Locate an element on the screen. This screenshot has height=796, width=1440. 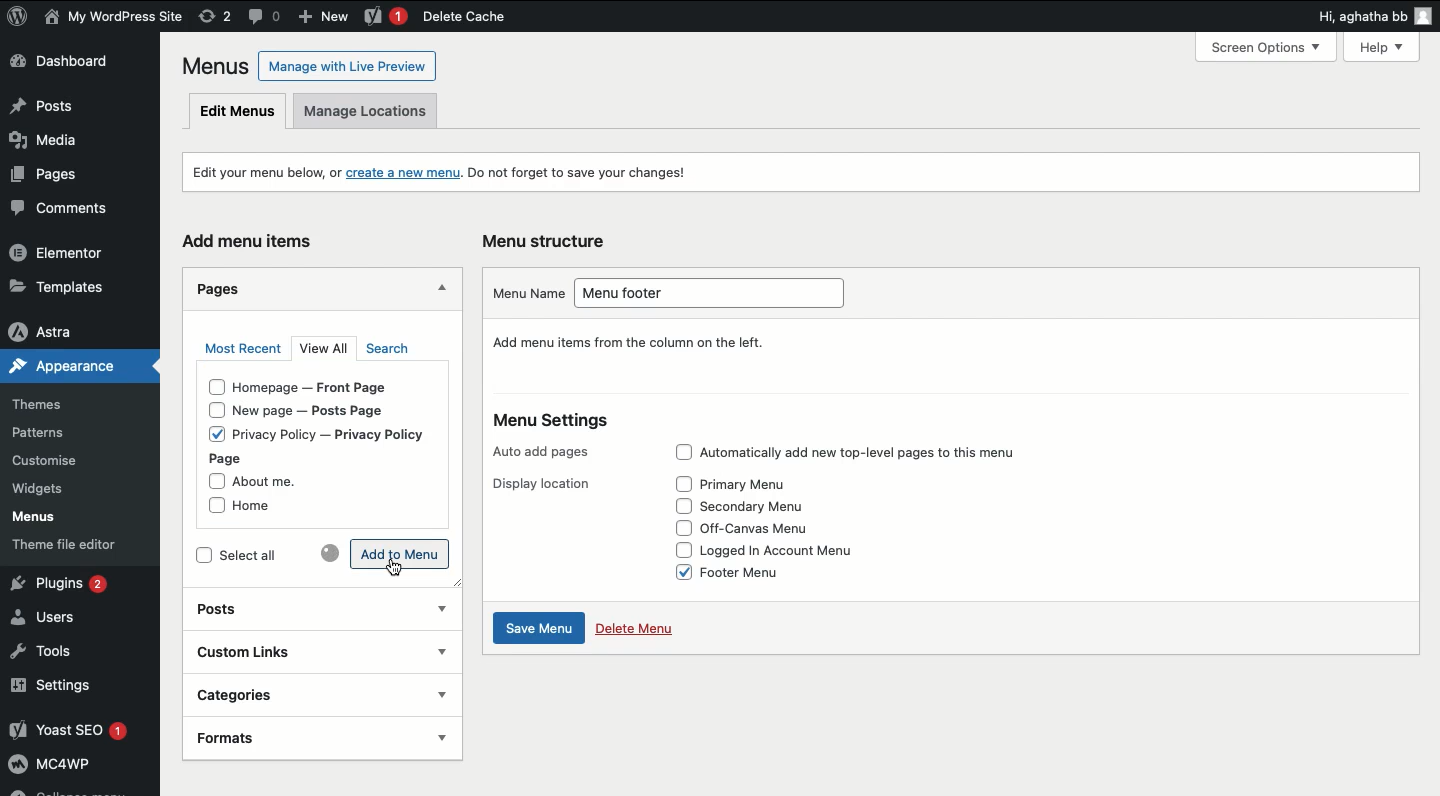
show is located at coordinates (441, 737).